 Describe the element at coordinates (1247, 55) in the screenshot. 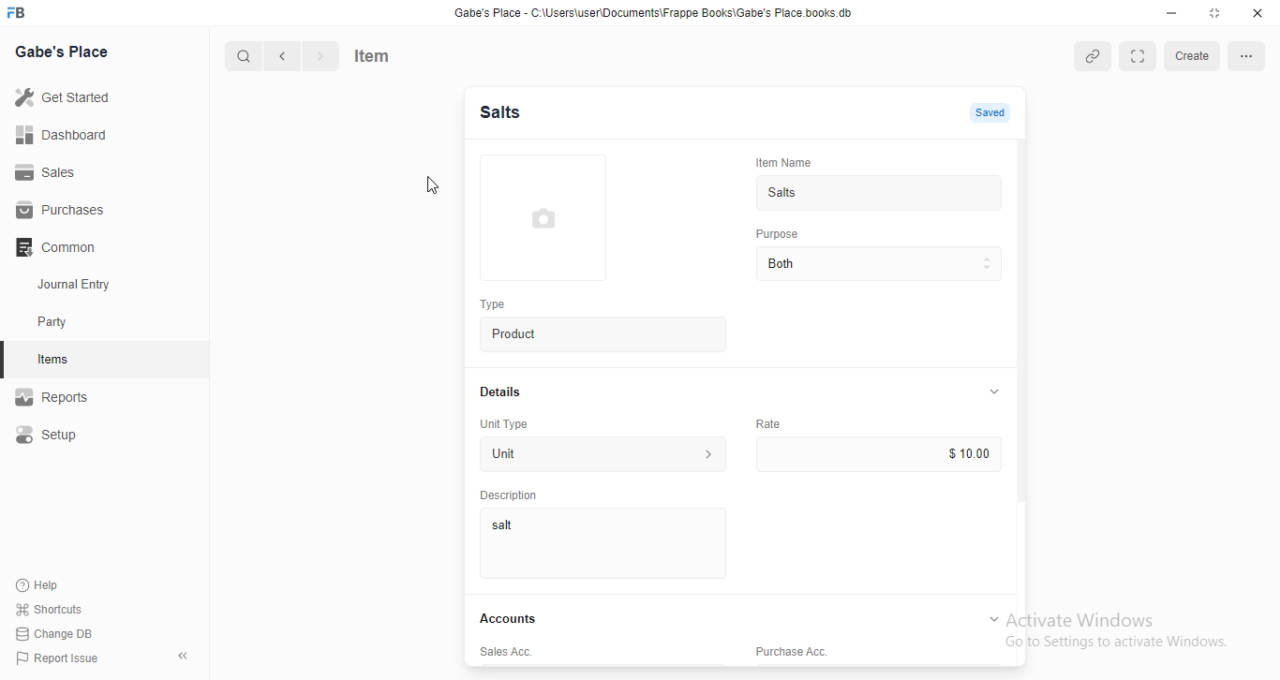

I see `options` at that location.